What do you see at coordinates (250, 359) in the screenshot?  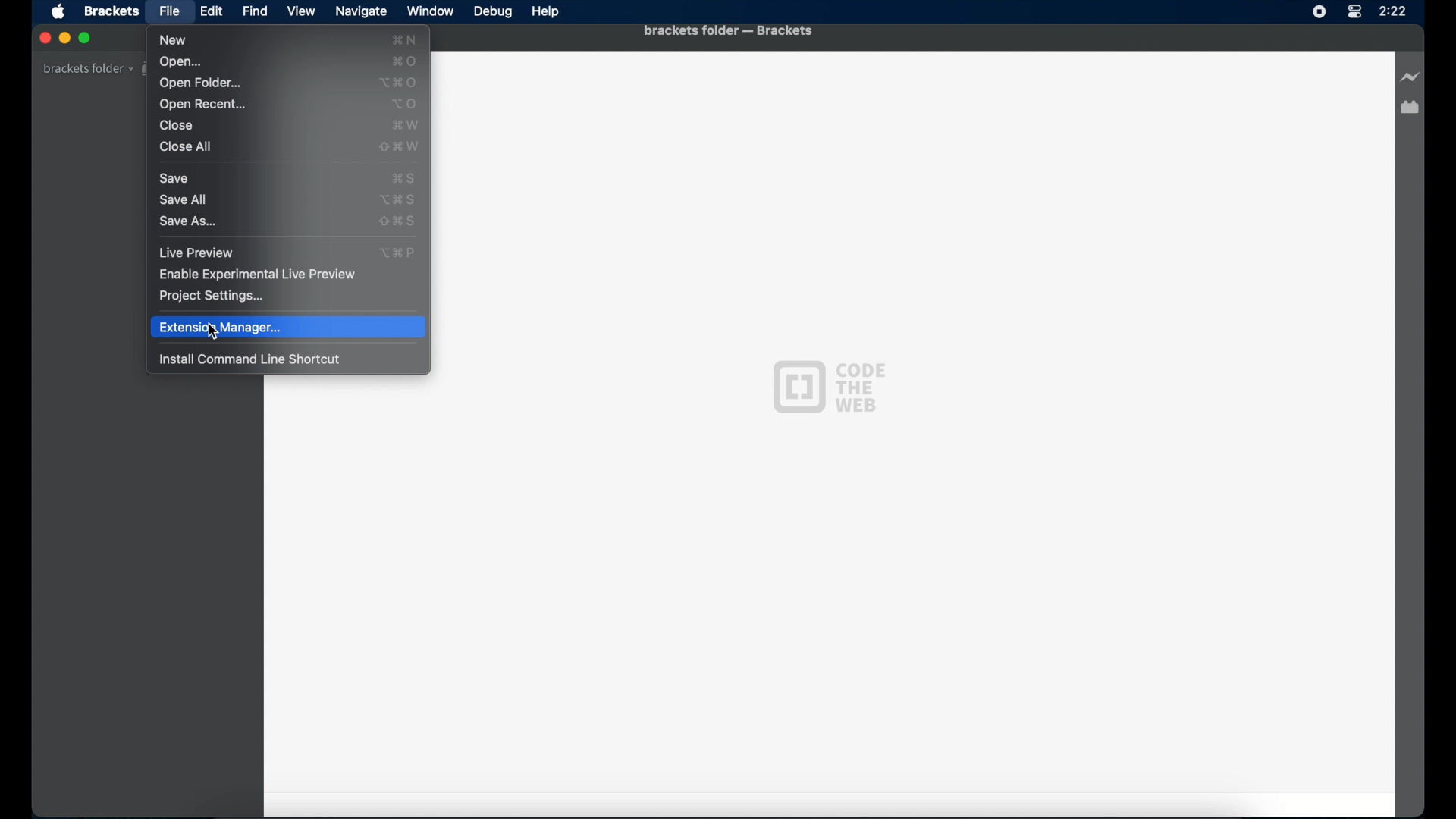 I see `install command line shortcut` at bounding box center [250, 359].